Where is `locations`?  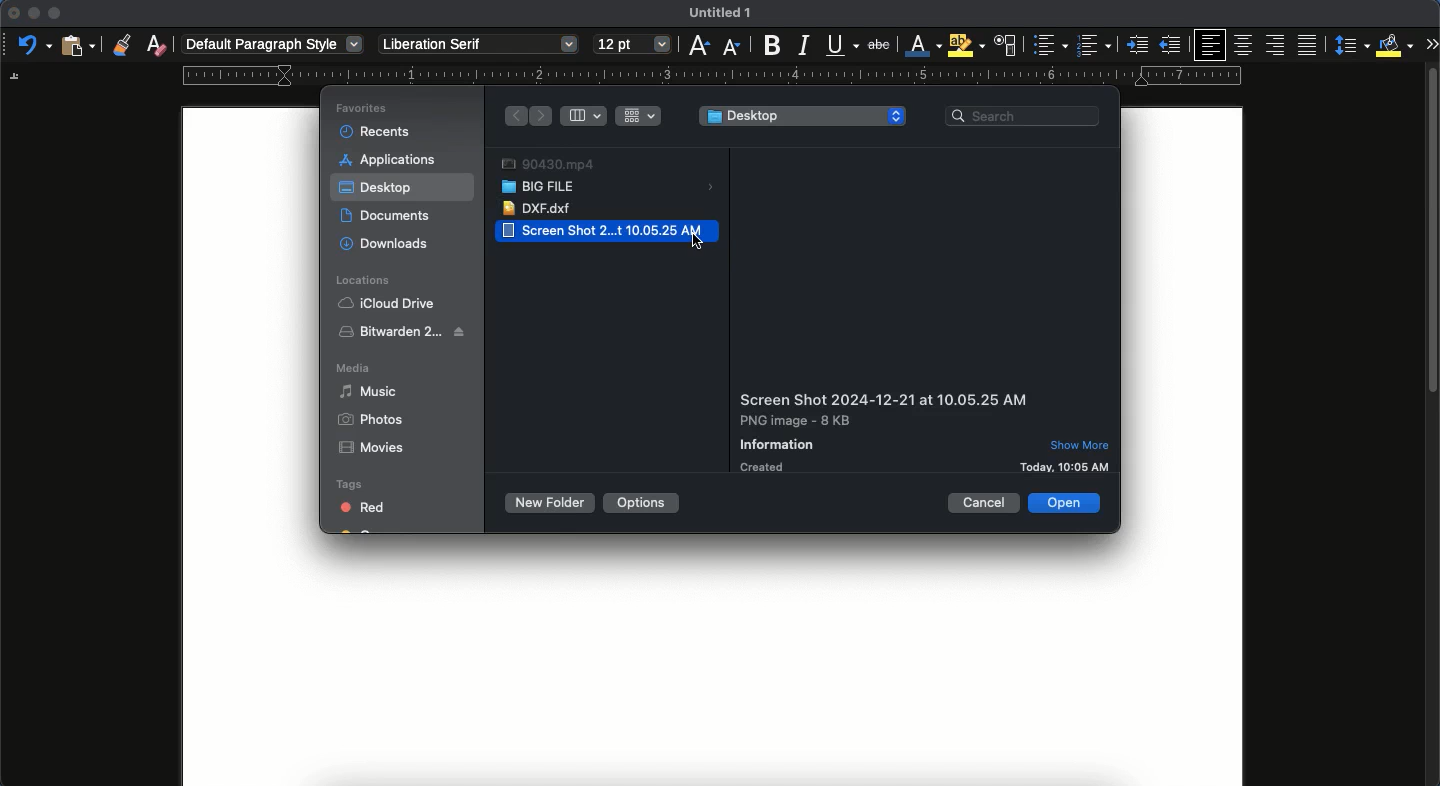
locations is located at coordinates (361, 278).